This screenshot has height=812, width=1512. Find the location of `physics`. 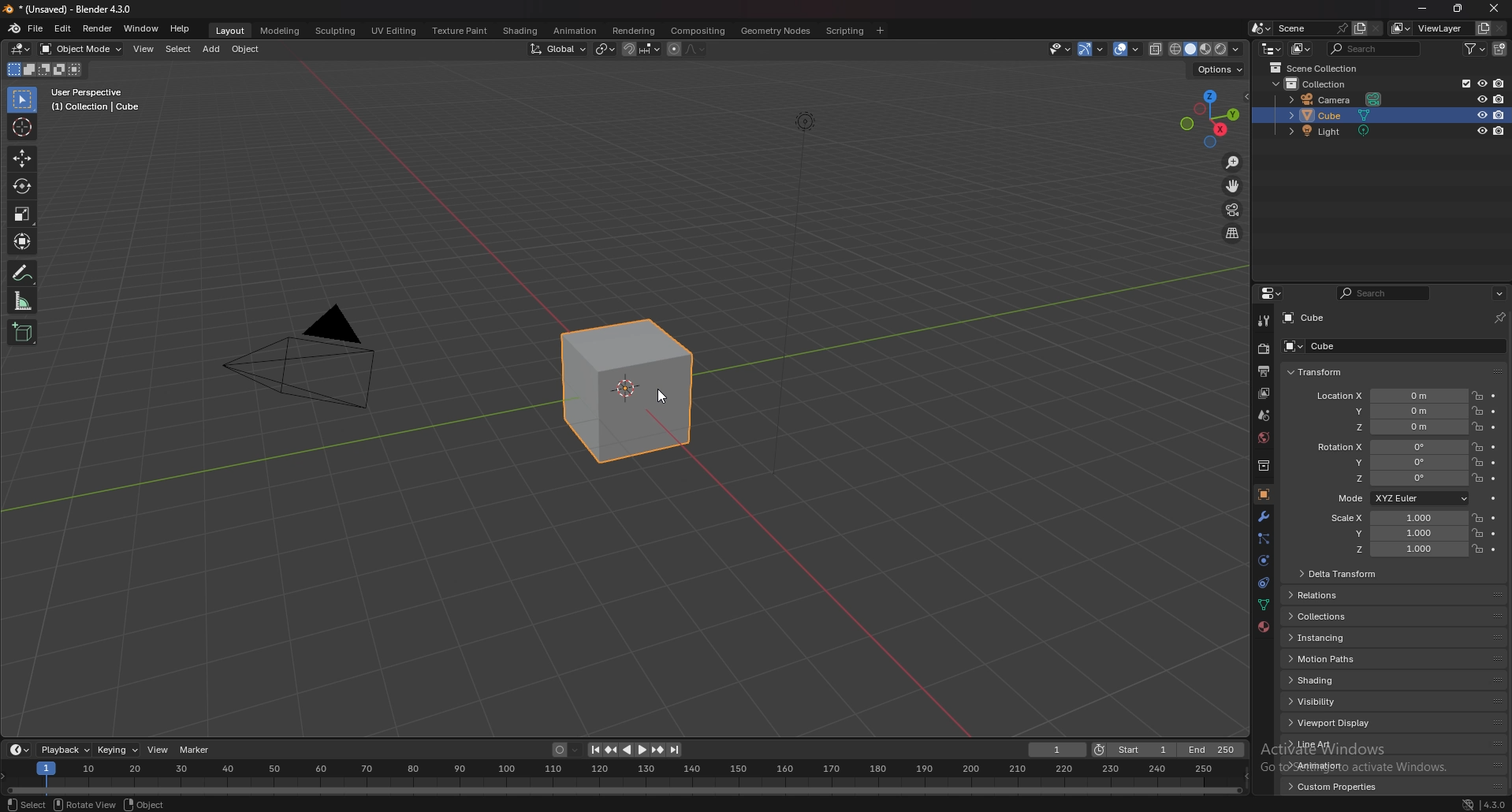

physics is located at coordinates (1264, 561).